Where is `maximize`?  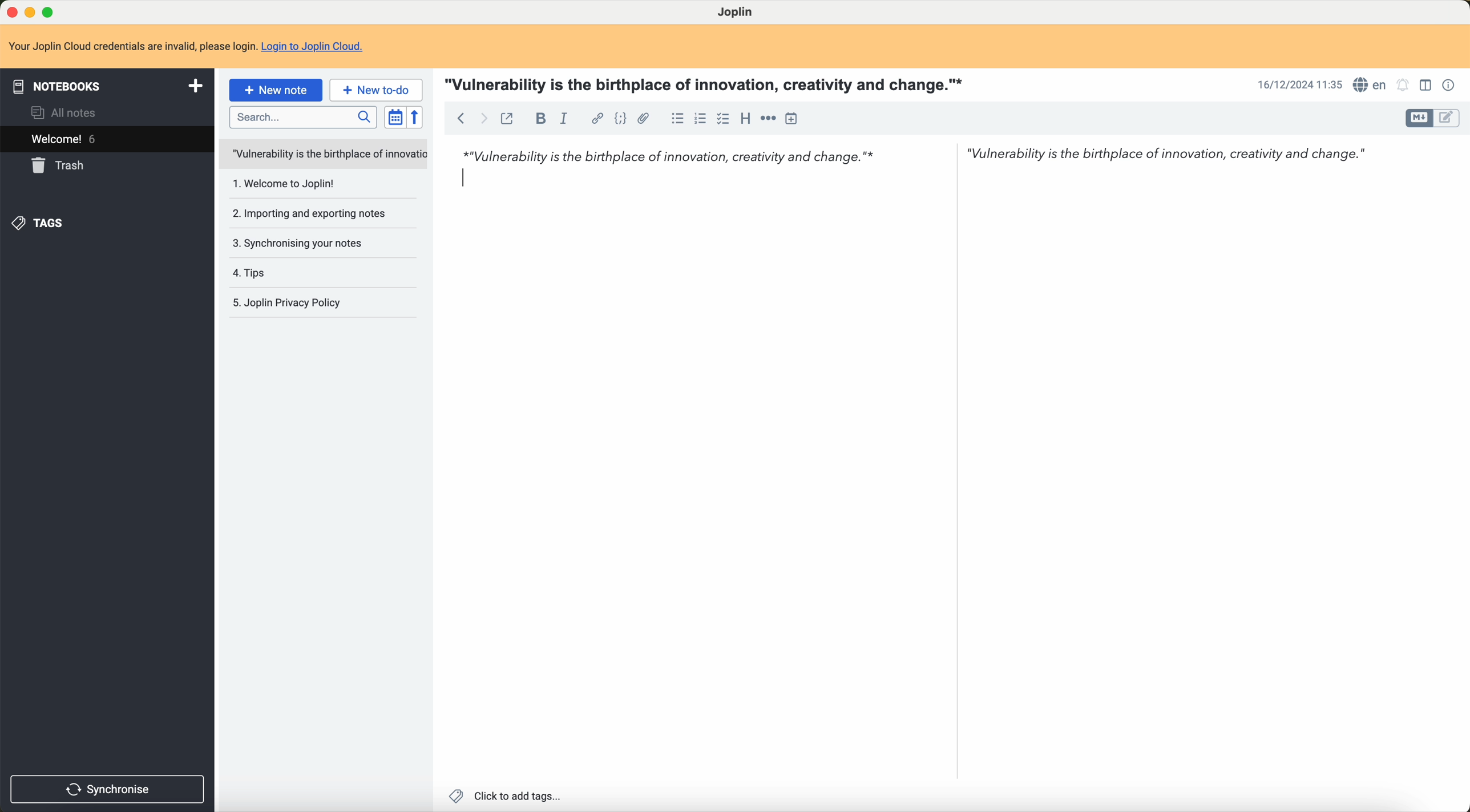 maximize is located at coordinates (50, 10).